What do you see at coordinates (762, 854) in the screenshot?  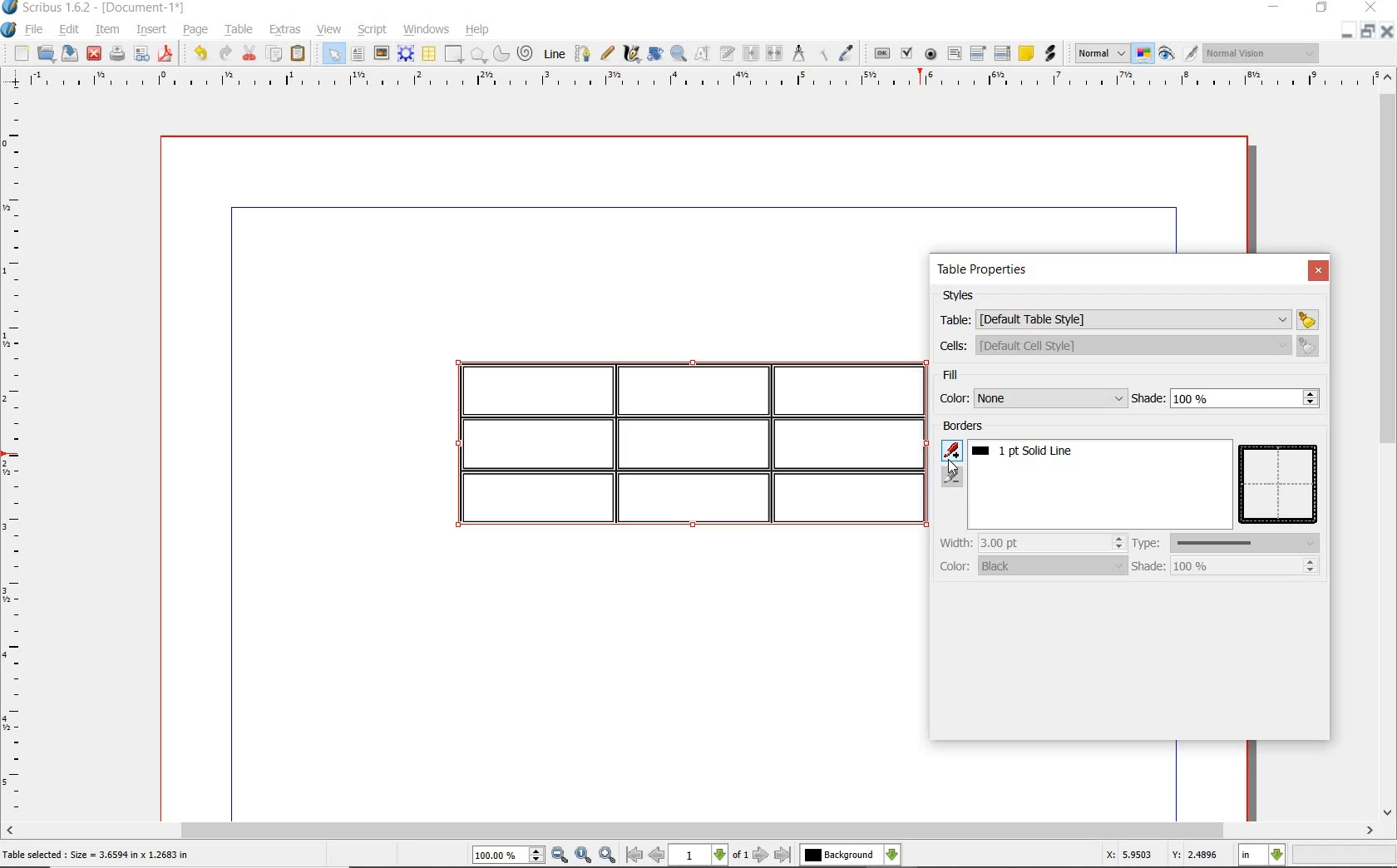 I see `go to next page` at bounding box center [762, 854].